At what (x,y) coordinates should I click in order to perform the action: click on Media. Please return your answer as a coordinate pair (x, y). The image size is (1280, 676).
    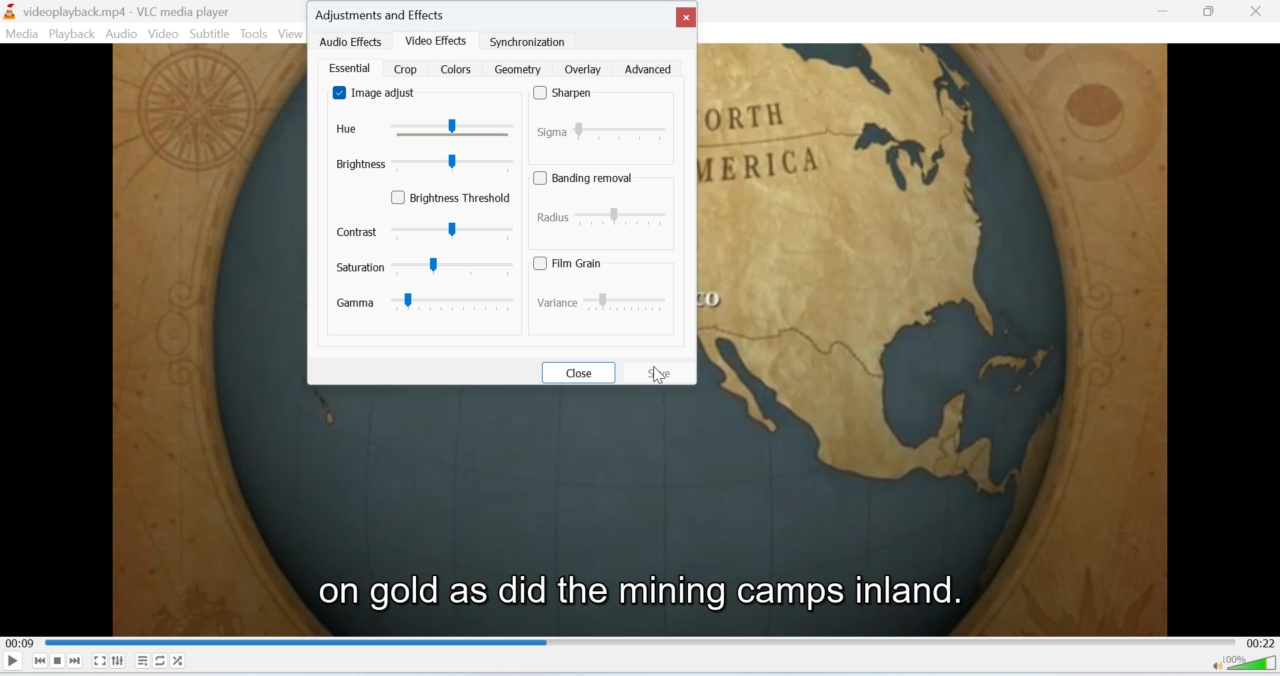
    Looking at the image, I should click on (22, 34).